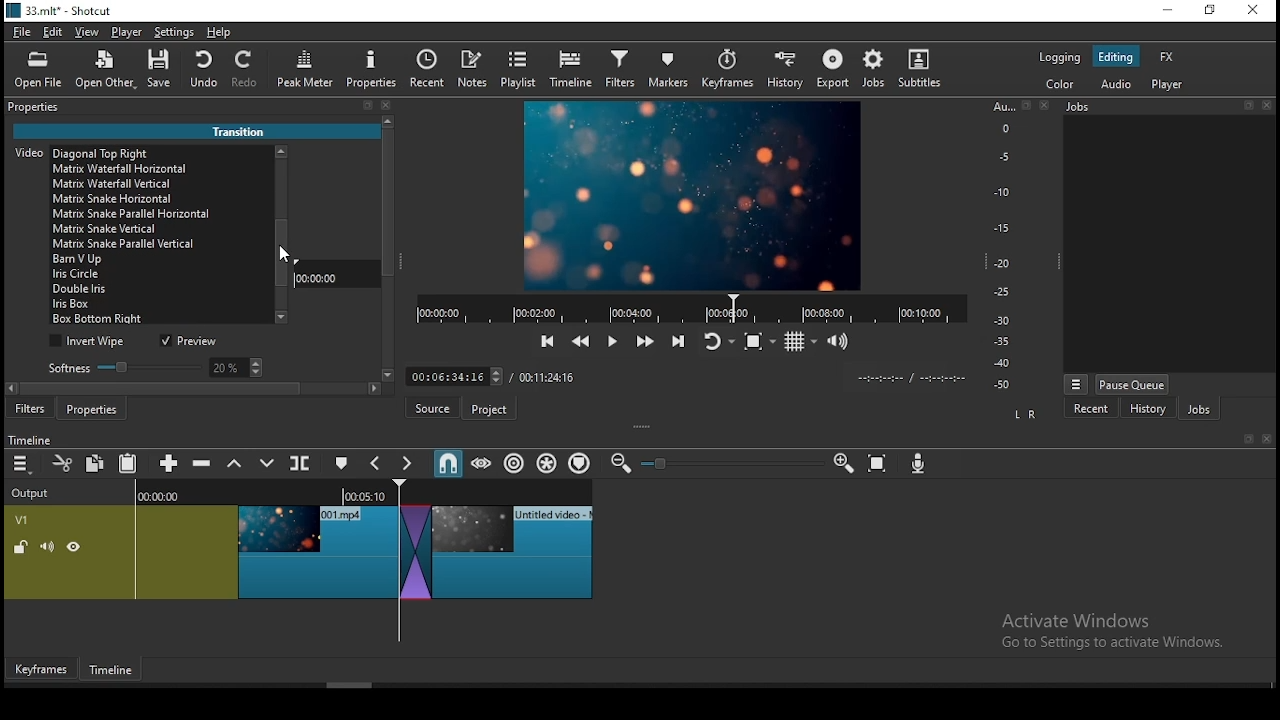  Describe the element at coordinates (835, 68) in the screenshot. I see `export` at that location.